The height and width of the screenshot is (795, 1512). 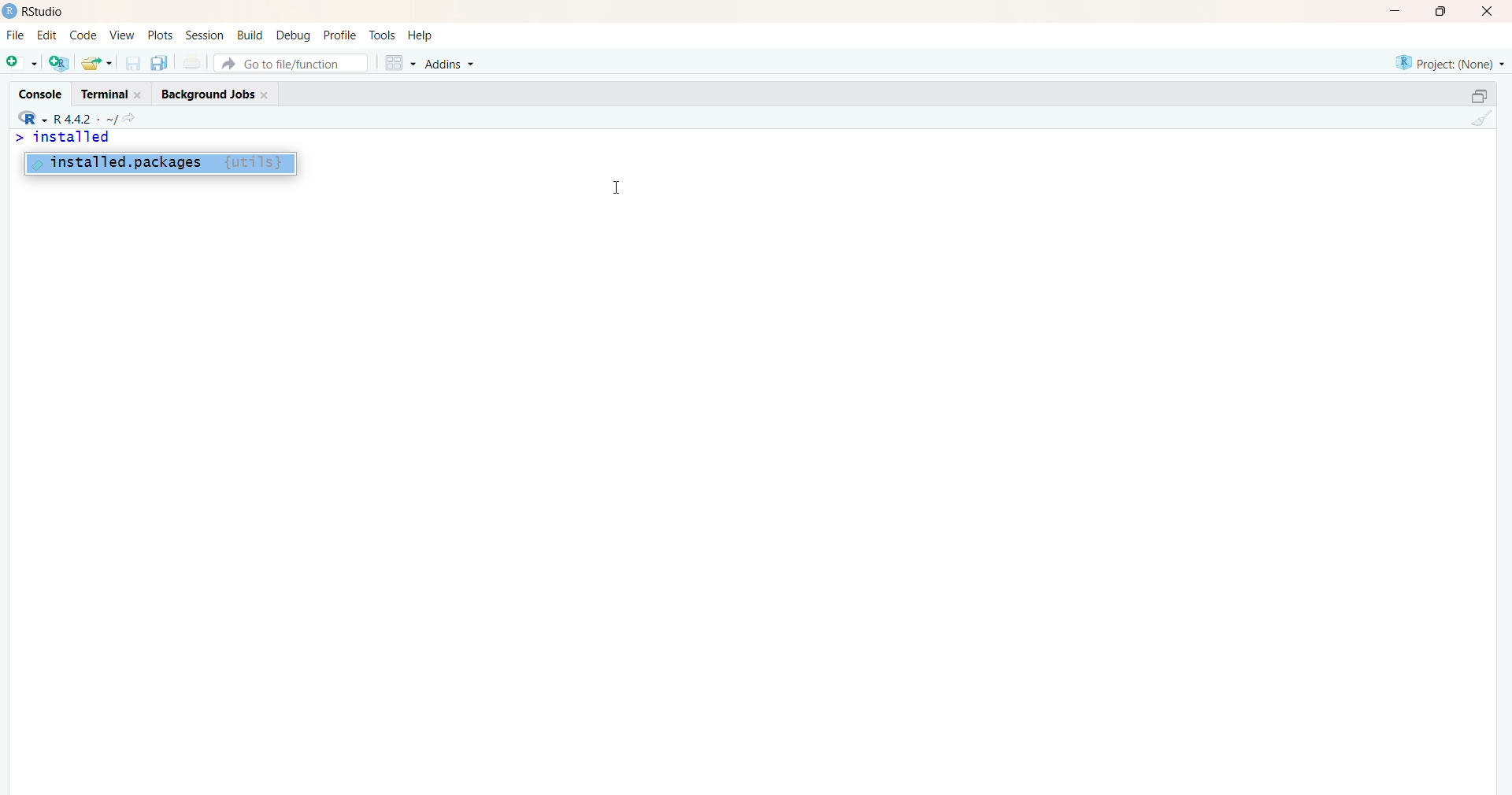 What do you see at coordinates (130, 120) in the screenshot?
I see `view the current working directory` at bounding box center [130, 120].